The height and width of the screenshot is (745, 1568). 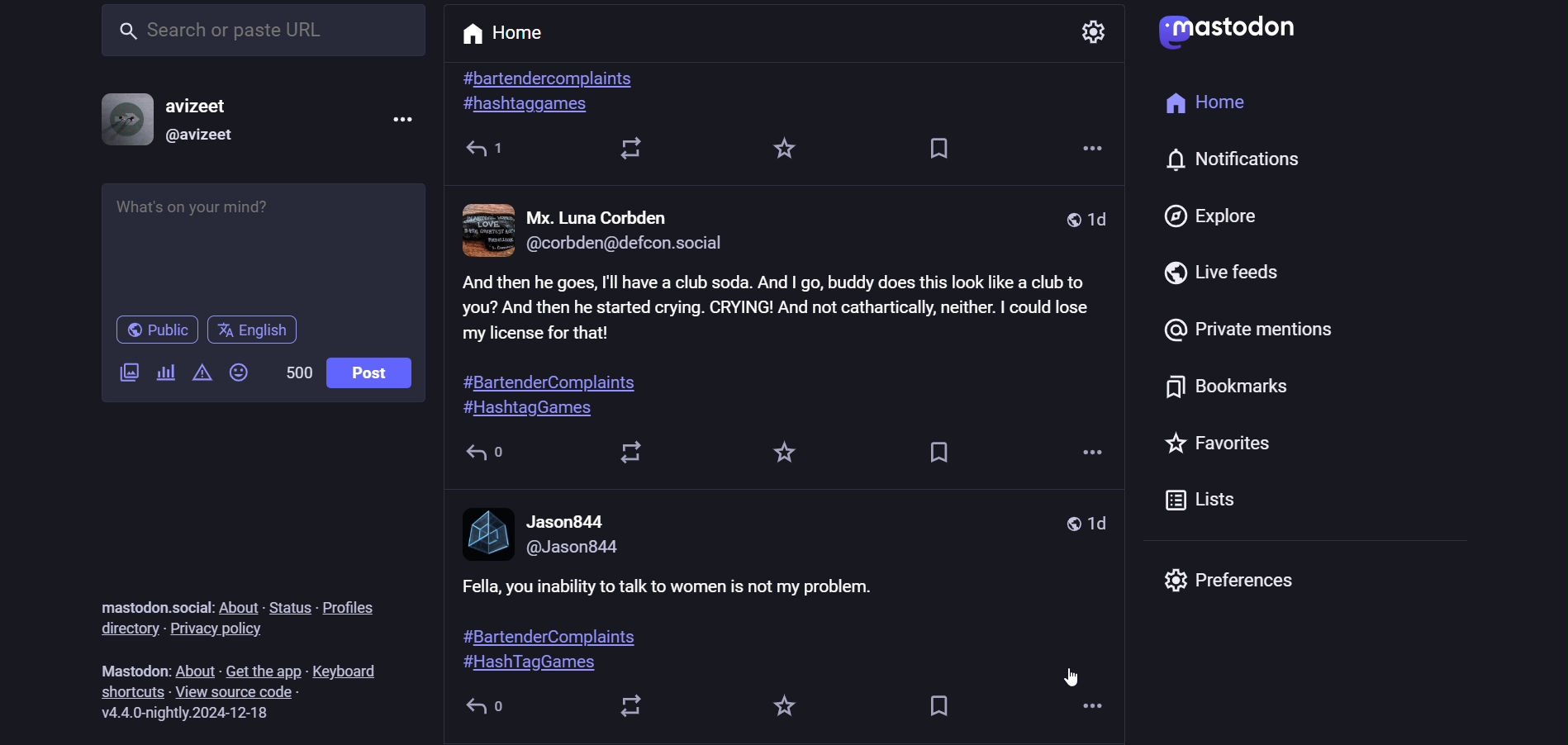 What do you see at coordinates (149, 600) in the screenshot?
I see `mastodon.social` at bounding box center [149, 600].